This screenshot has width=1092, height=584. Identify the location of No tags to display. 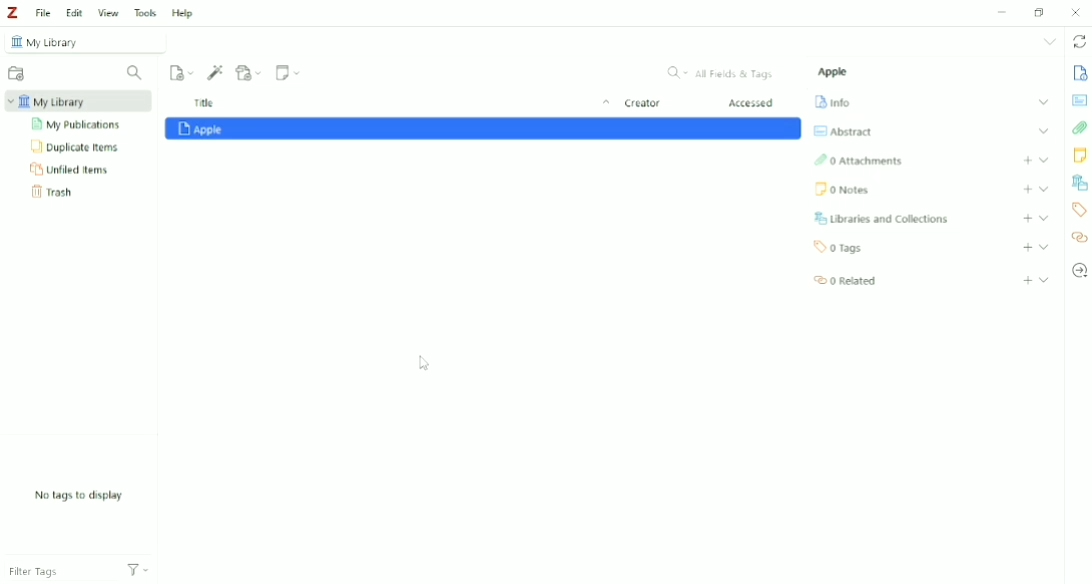
(77, 495).